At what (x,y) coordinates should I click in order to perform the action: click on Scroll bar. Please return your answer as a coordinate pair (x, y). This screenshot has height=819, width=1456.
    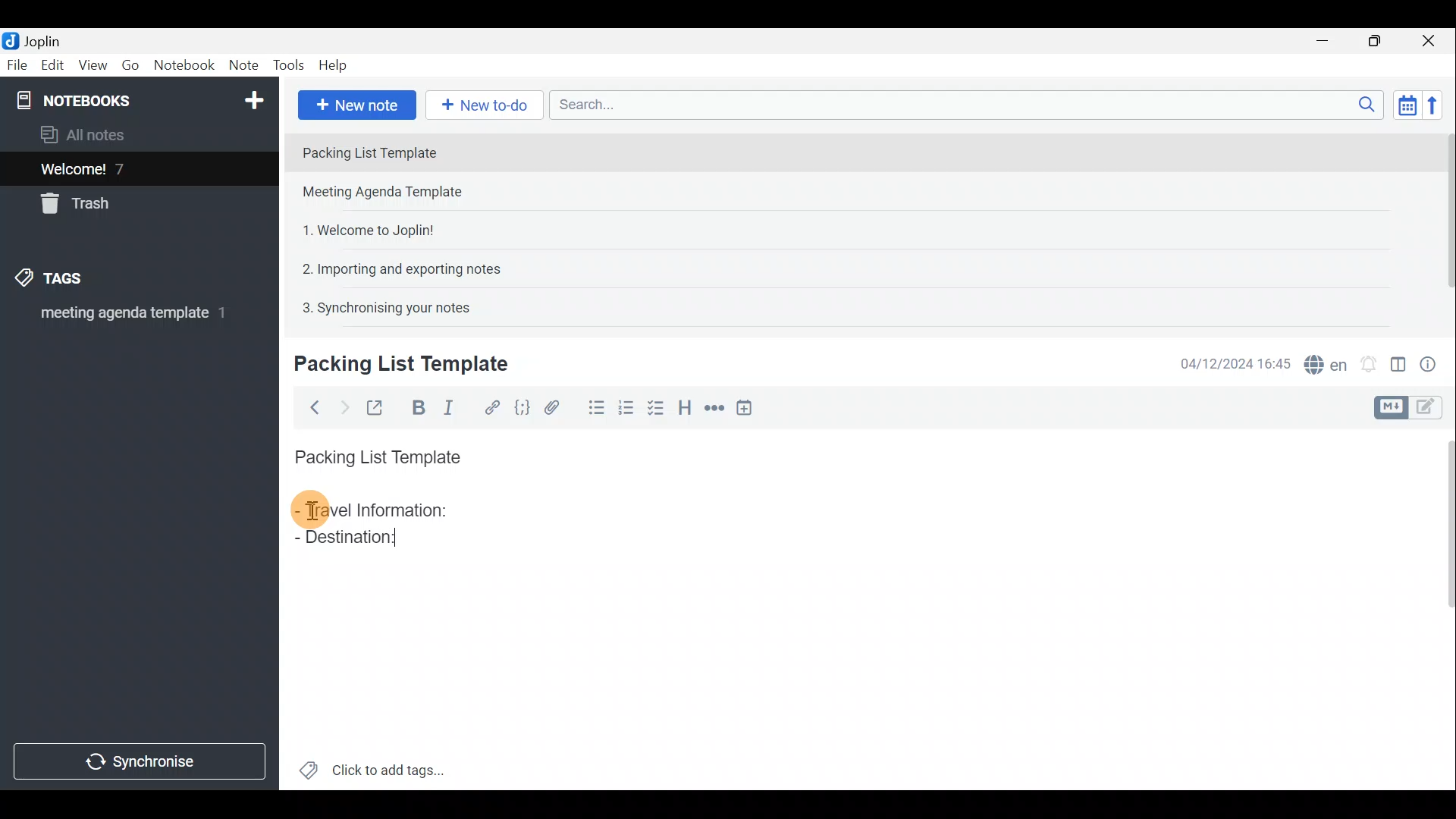
    Looking at the image, I should click on (1442, 221).